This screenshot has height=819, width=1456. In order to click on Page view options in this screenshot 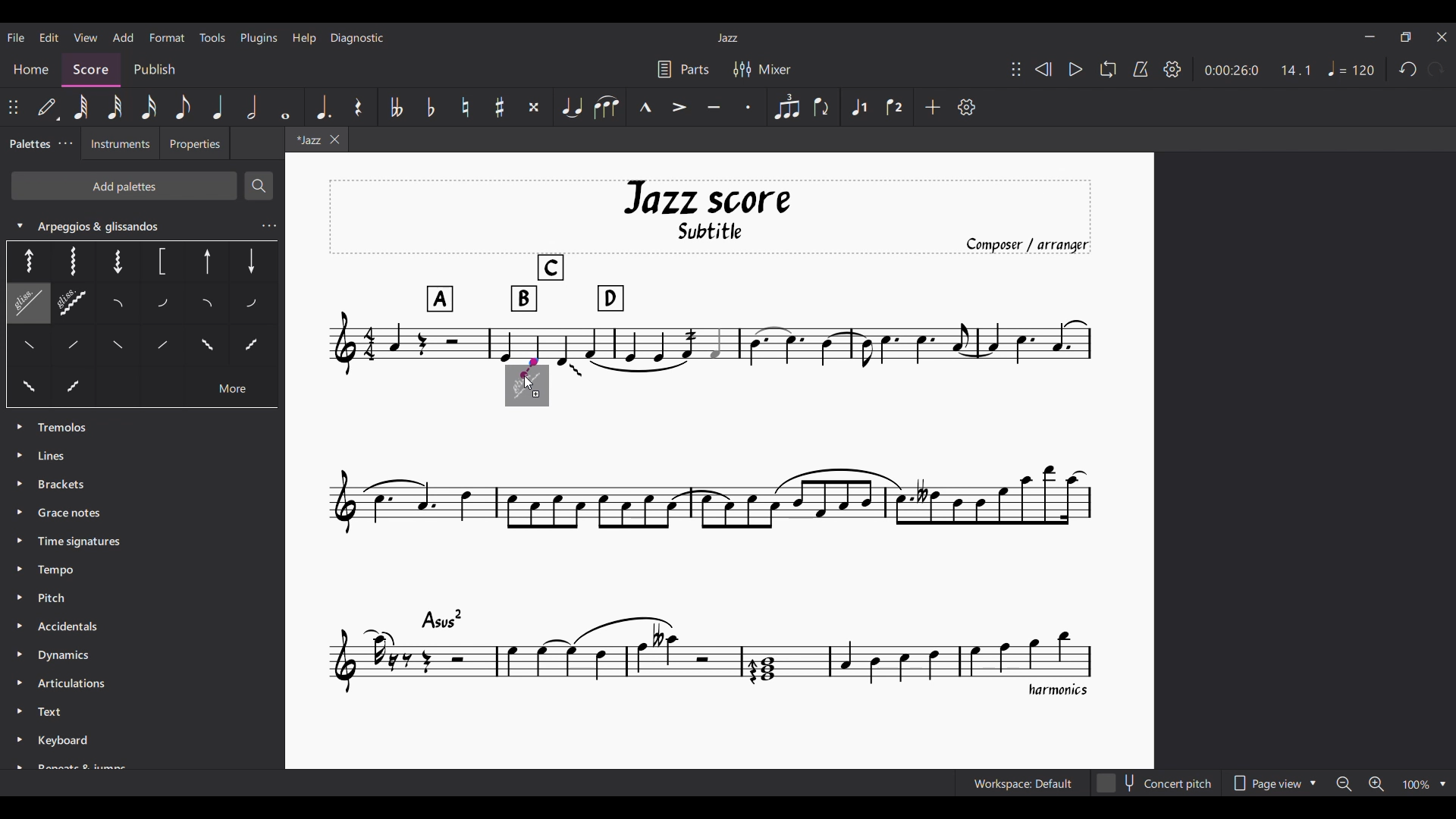, I will do `click(1274, 783)`.